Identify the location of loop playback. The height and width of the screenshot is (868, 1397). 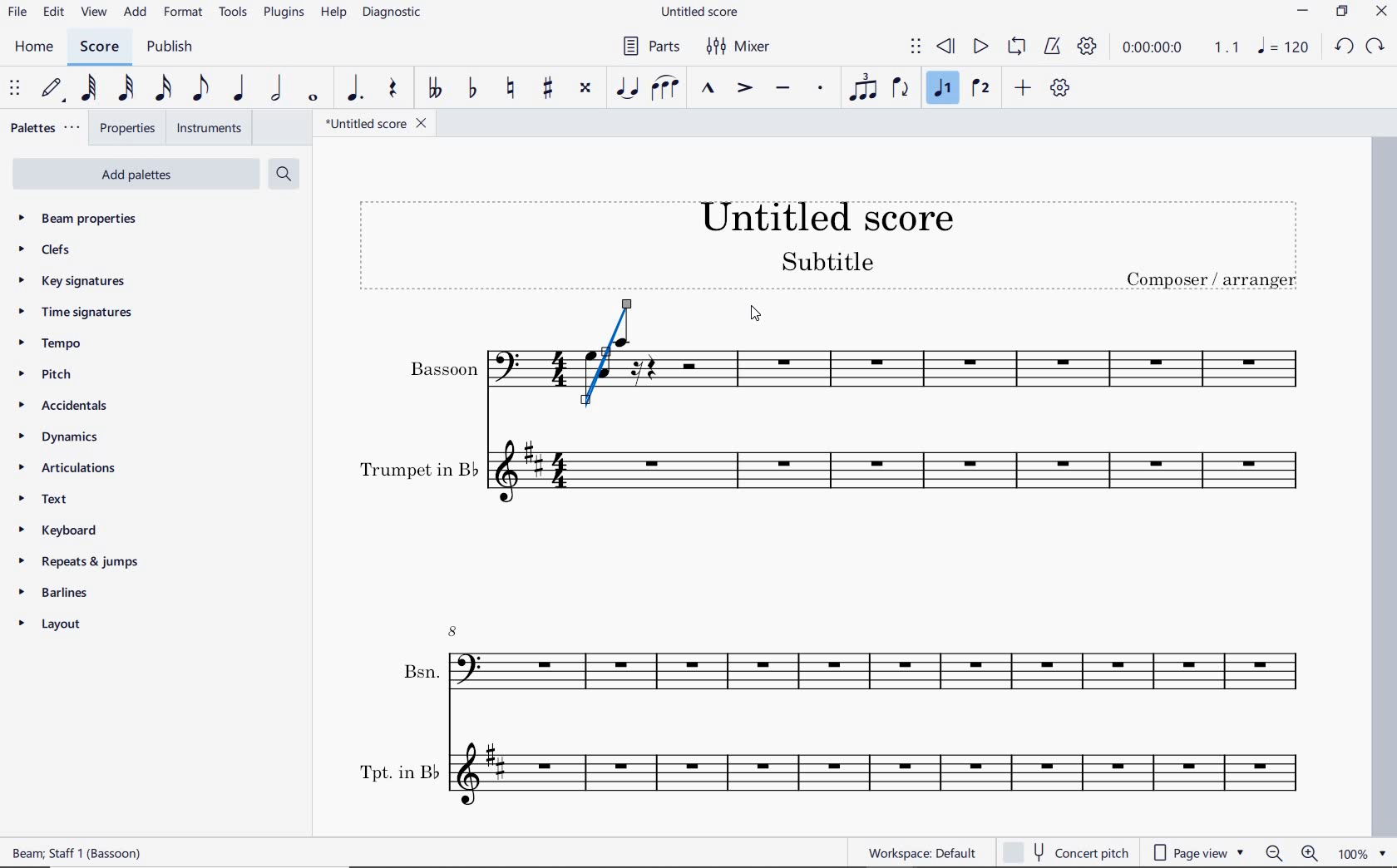
(1016, 48).